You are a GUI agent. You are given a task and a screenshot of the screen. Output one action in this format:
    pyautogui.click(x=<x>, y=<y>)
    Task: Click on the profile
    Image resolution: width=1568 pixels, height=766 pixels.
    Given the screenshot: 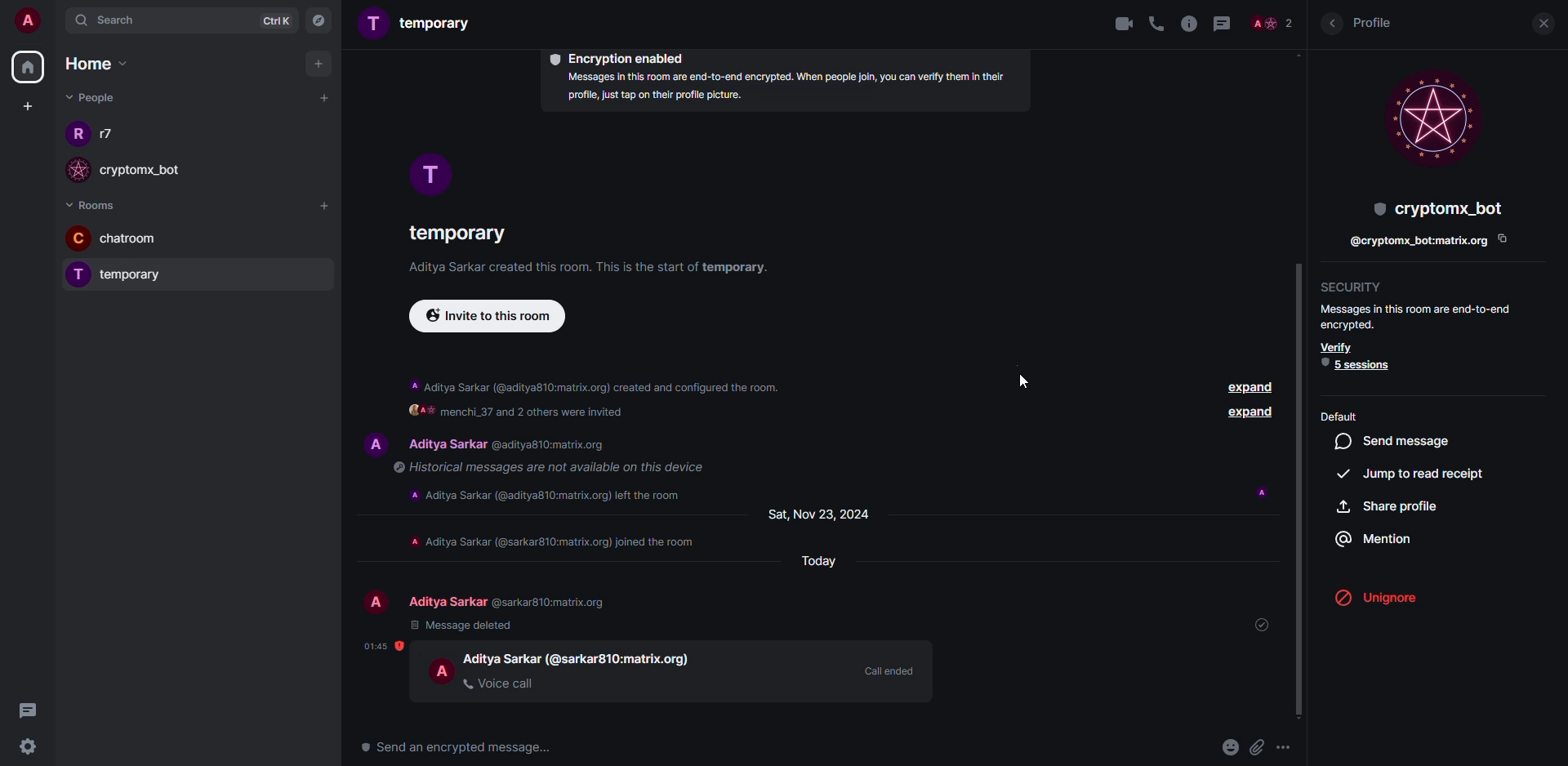 What is the action you would take?
    pyautogui.click(x=373, y=442)
    